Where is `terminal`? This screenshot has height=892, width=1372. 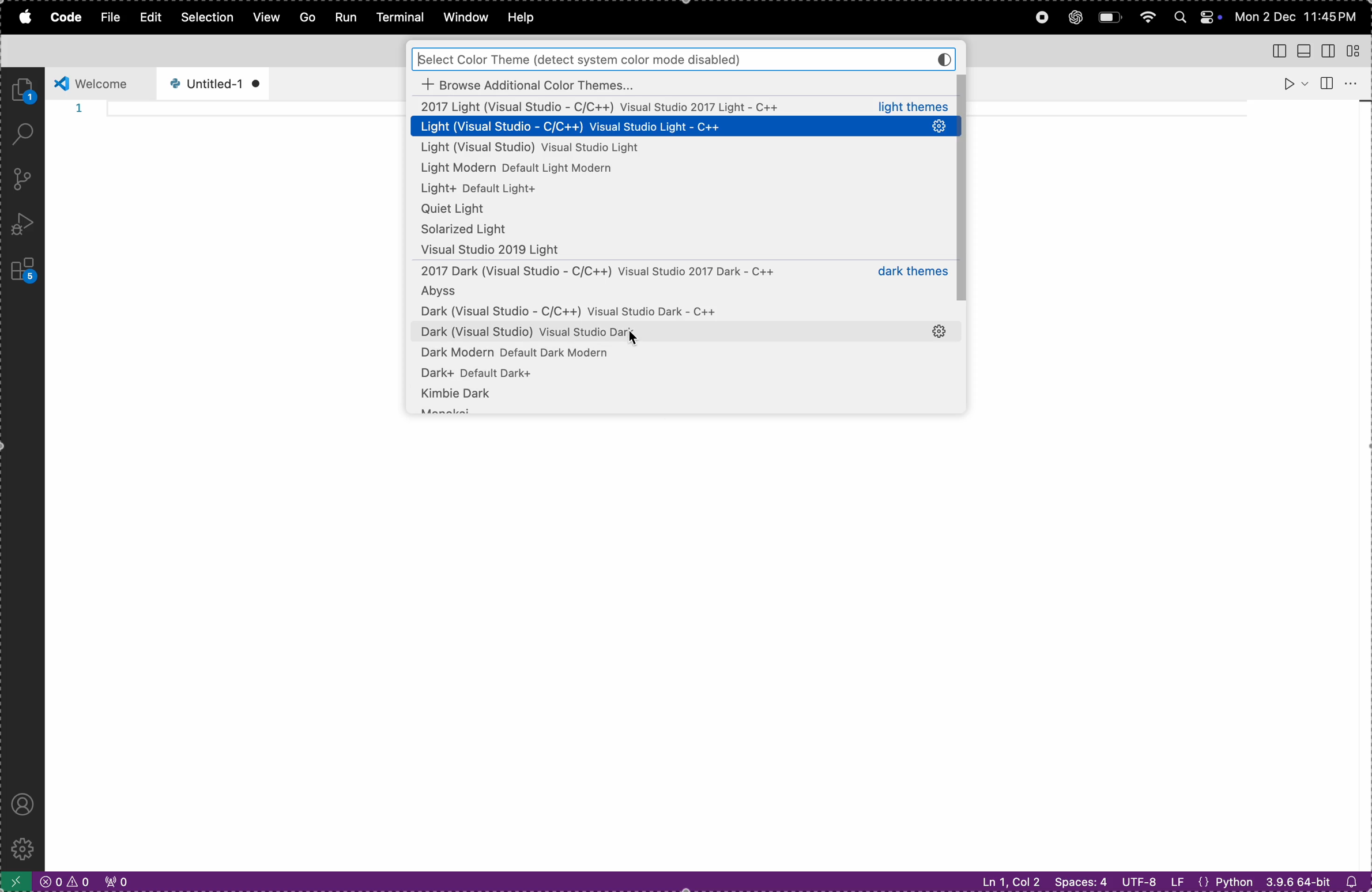
terminal is located at coordinates (400, 17).